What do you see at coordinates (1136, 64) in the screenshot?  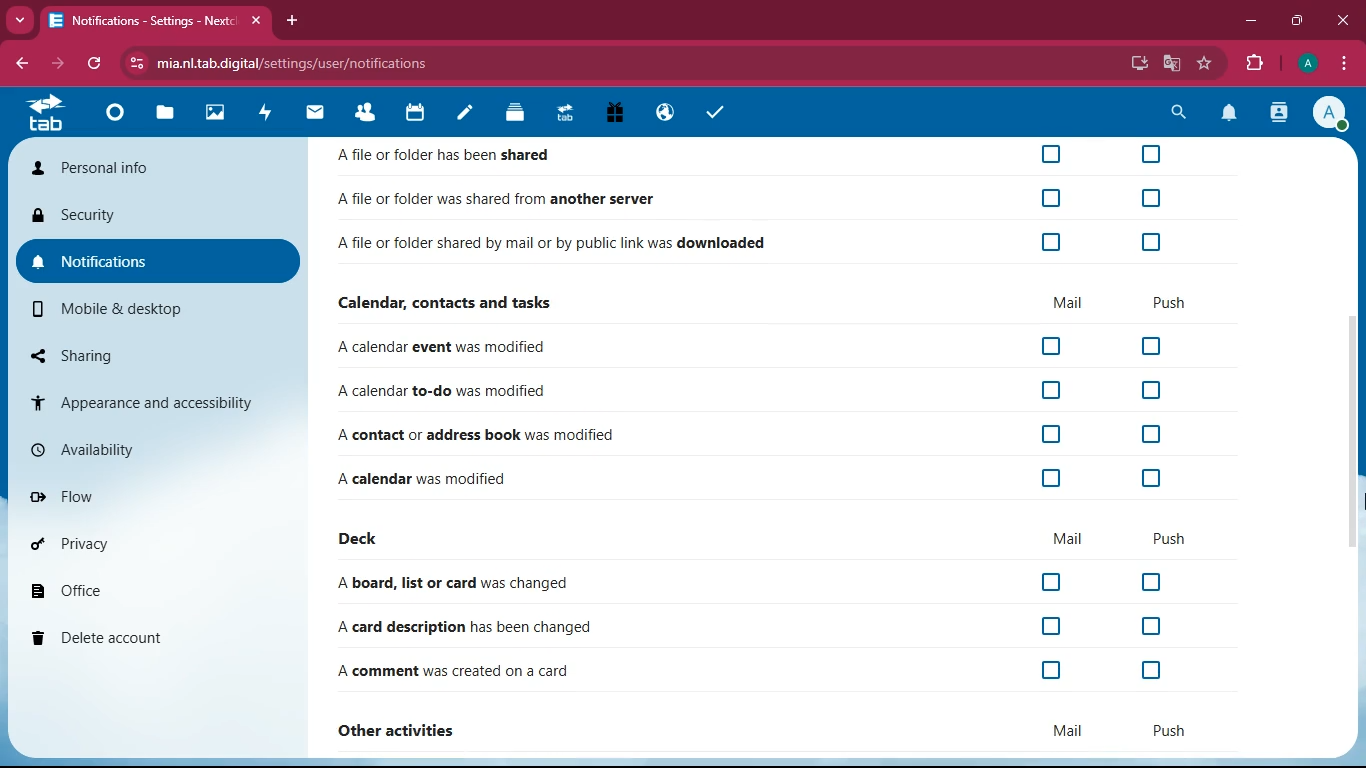 I see `desktop` at bounding box center [1136, 64].